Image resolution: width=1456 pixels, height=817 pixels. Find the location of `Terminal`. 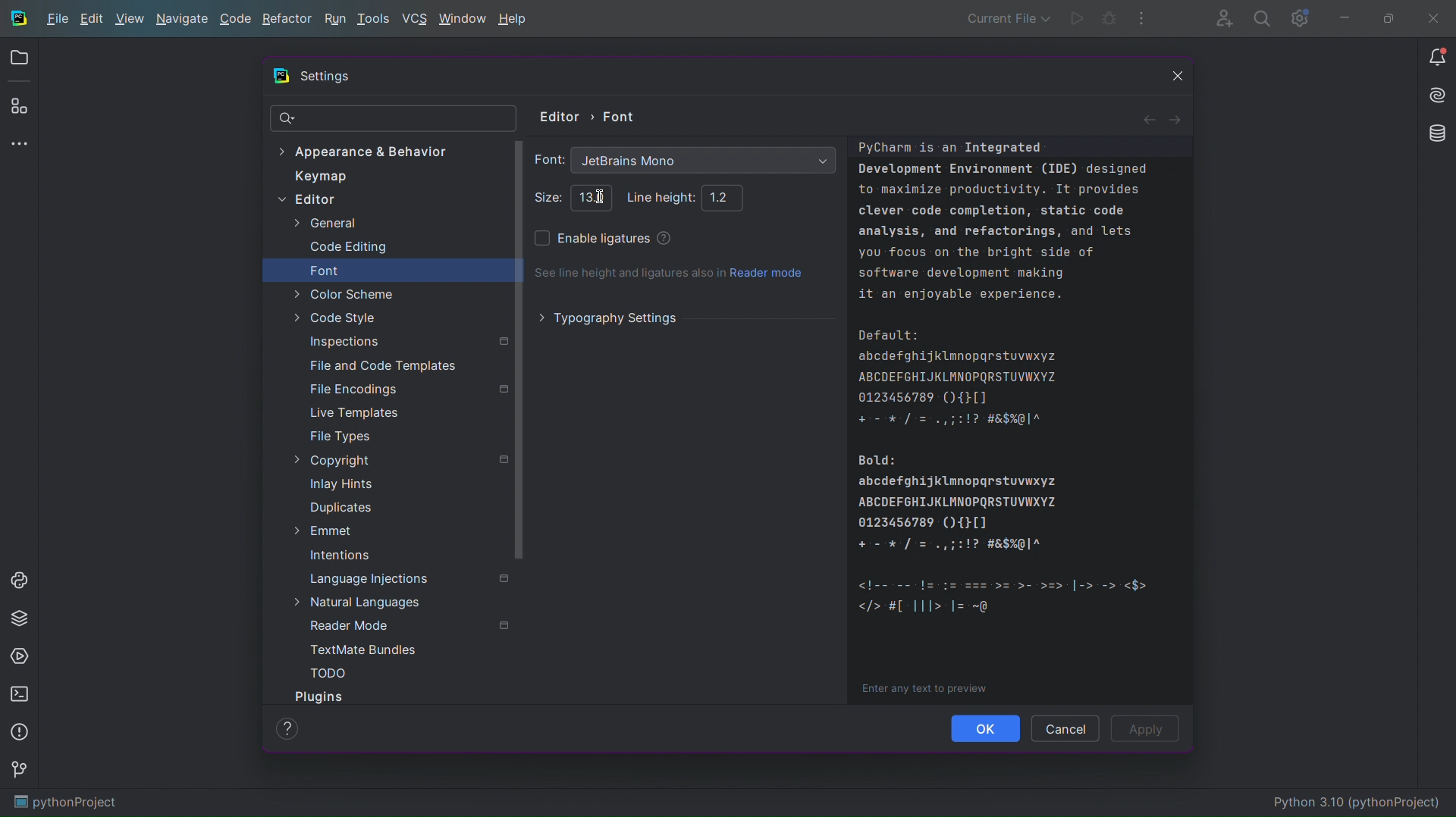

Terminal is located at coordinates (22, 695).